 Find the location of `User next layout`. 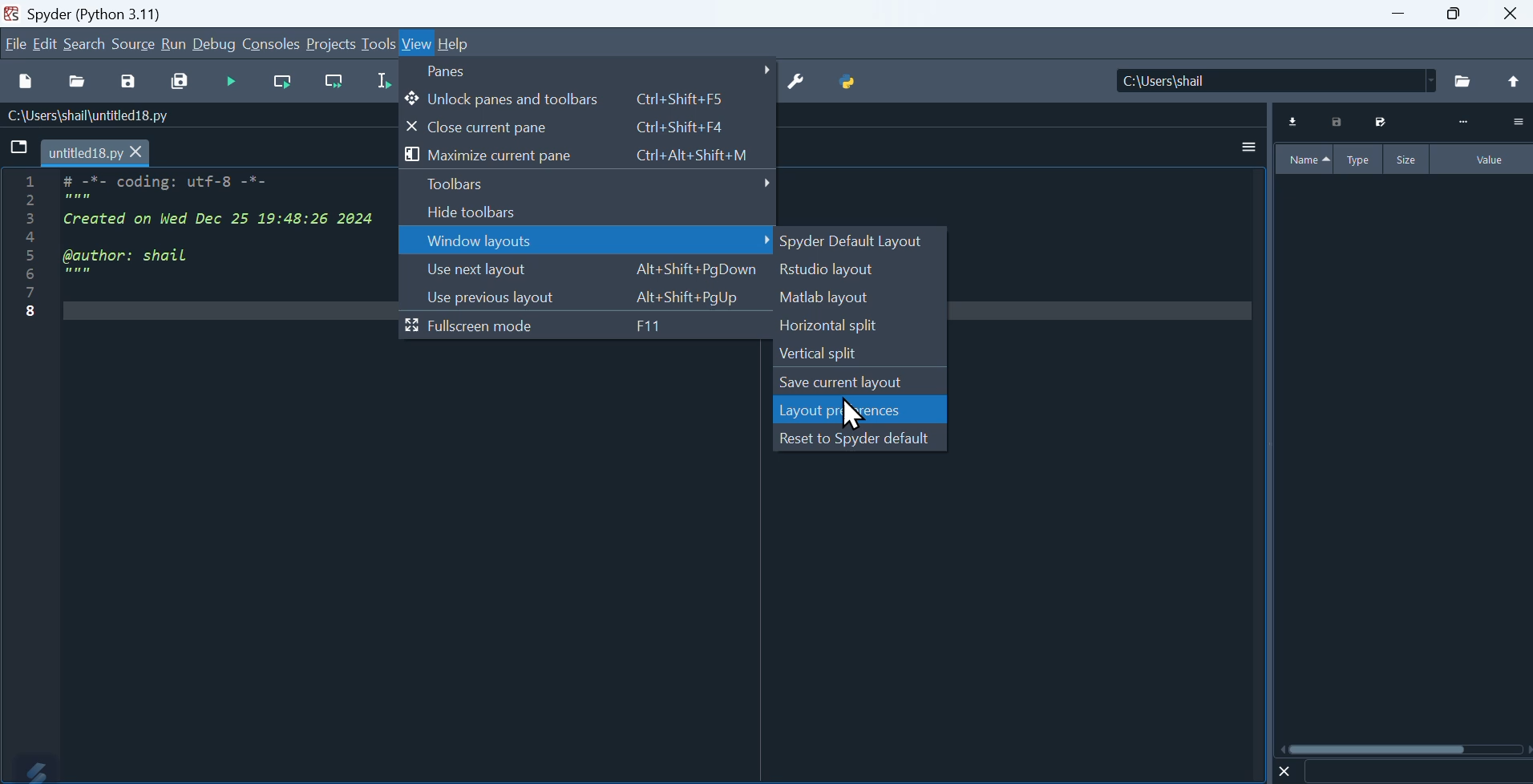

User next layout is located at coordinates (588, 270).